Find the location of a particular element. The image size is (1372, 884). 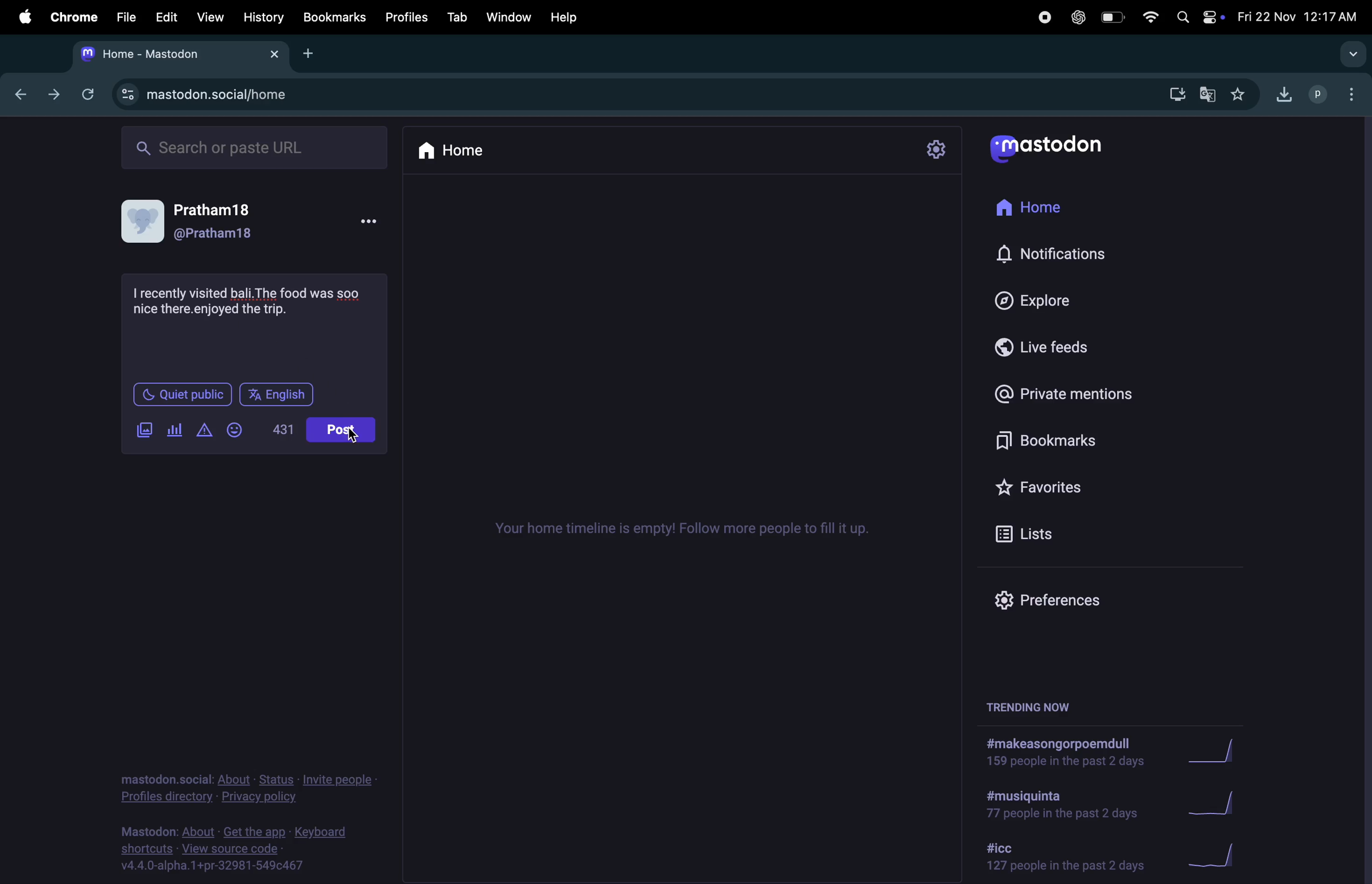

help is located at coordinates (567, 15).